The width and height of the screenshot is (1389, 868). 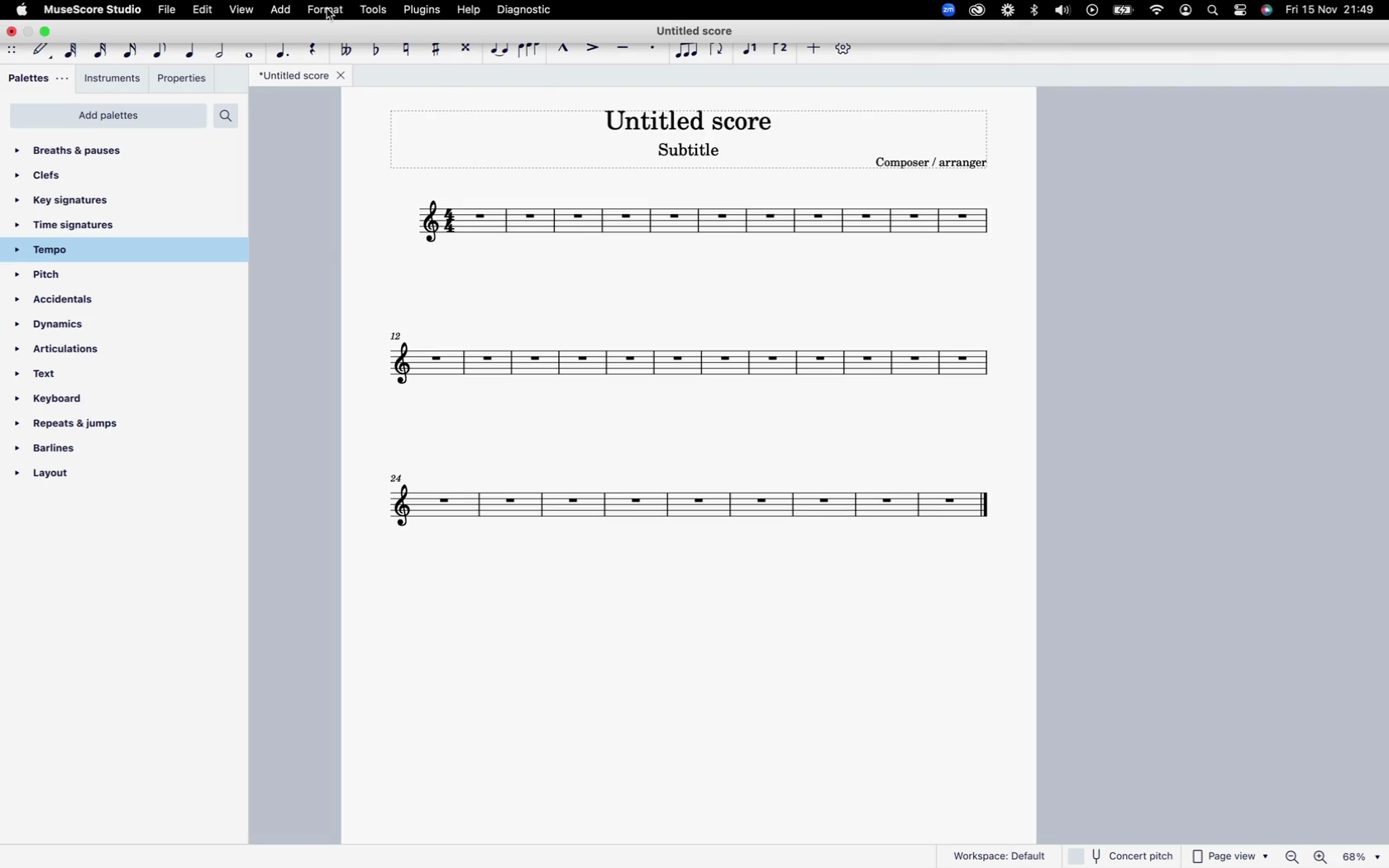 I want to click on accent, so click(x=594, y=46).